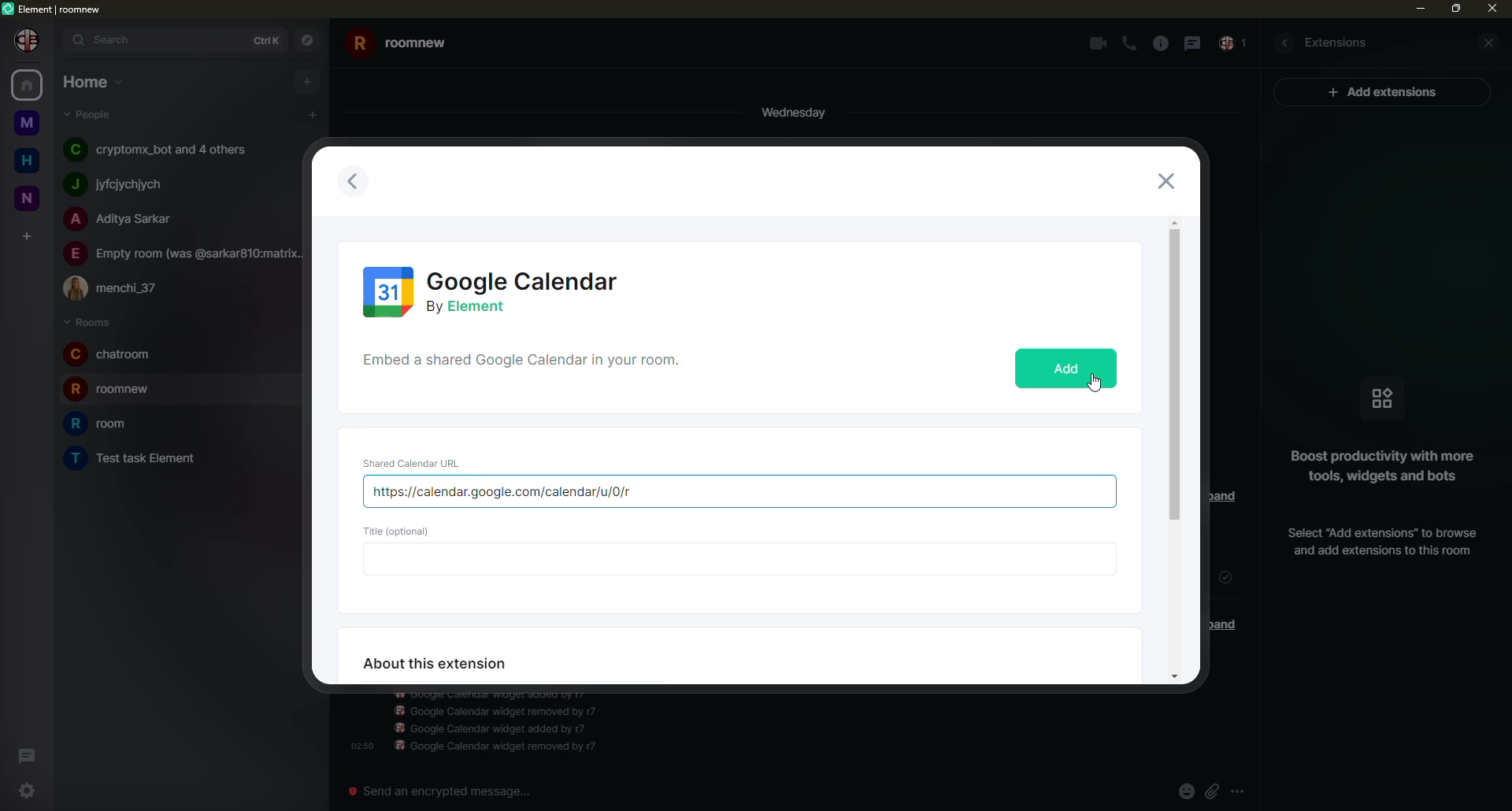 The image size is (1512, 811). What do you see at coordinates (90, 114) in the screenshot?
I see `people` at bounding box center [90, 114].